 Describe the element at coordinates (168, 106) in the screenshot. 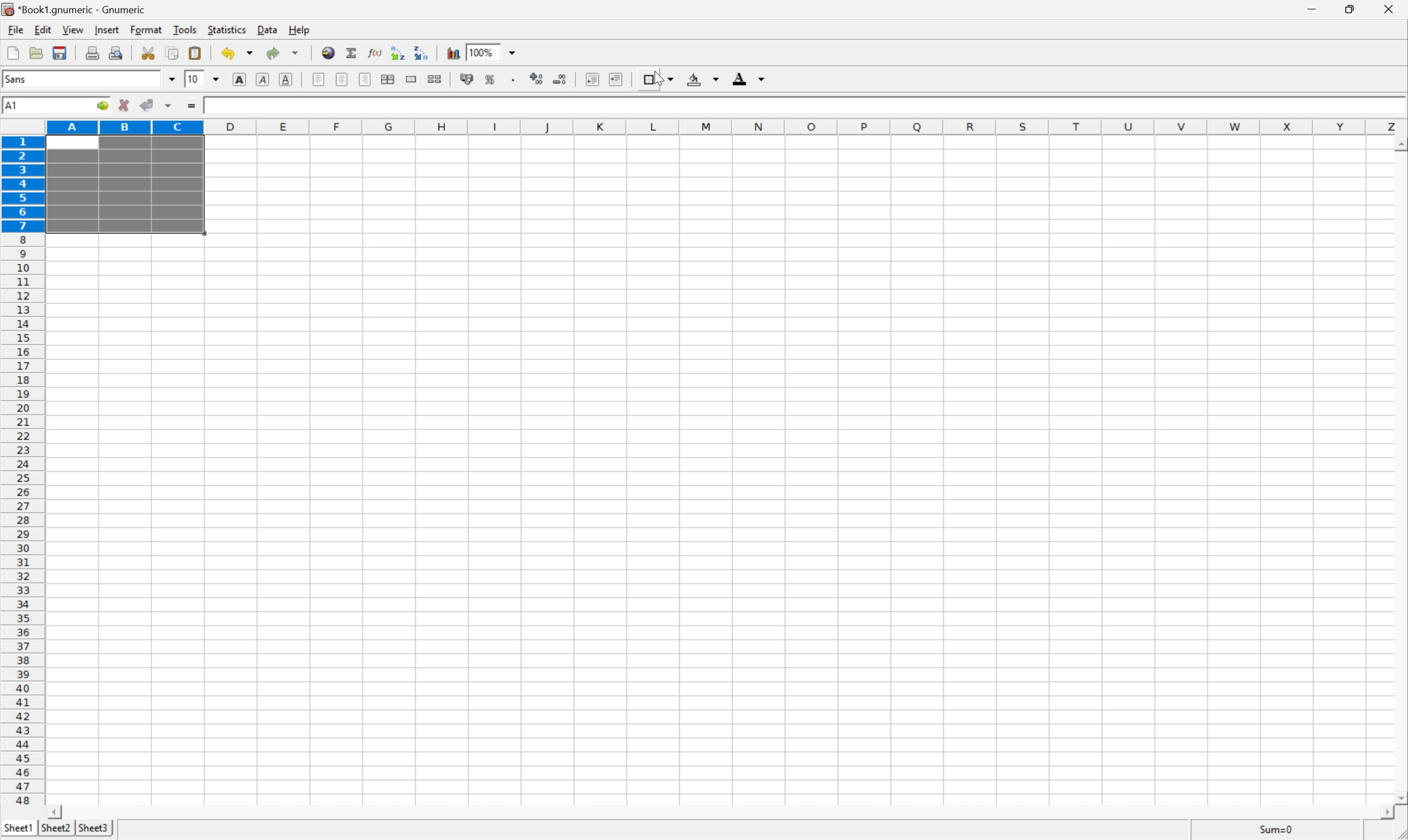

I see `accept changes across selection` at that location.